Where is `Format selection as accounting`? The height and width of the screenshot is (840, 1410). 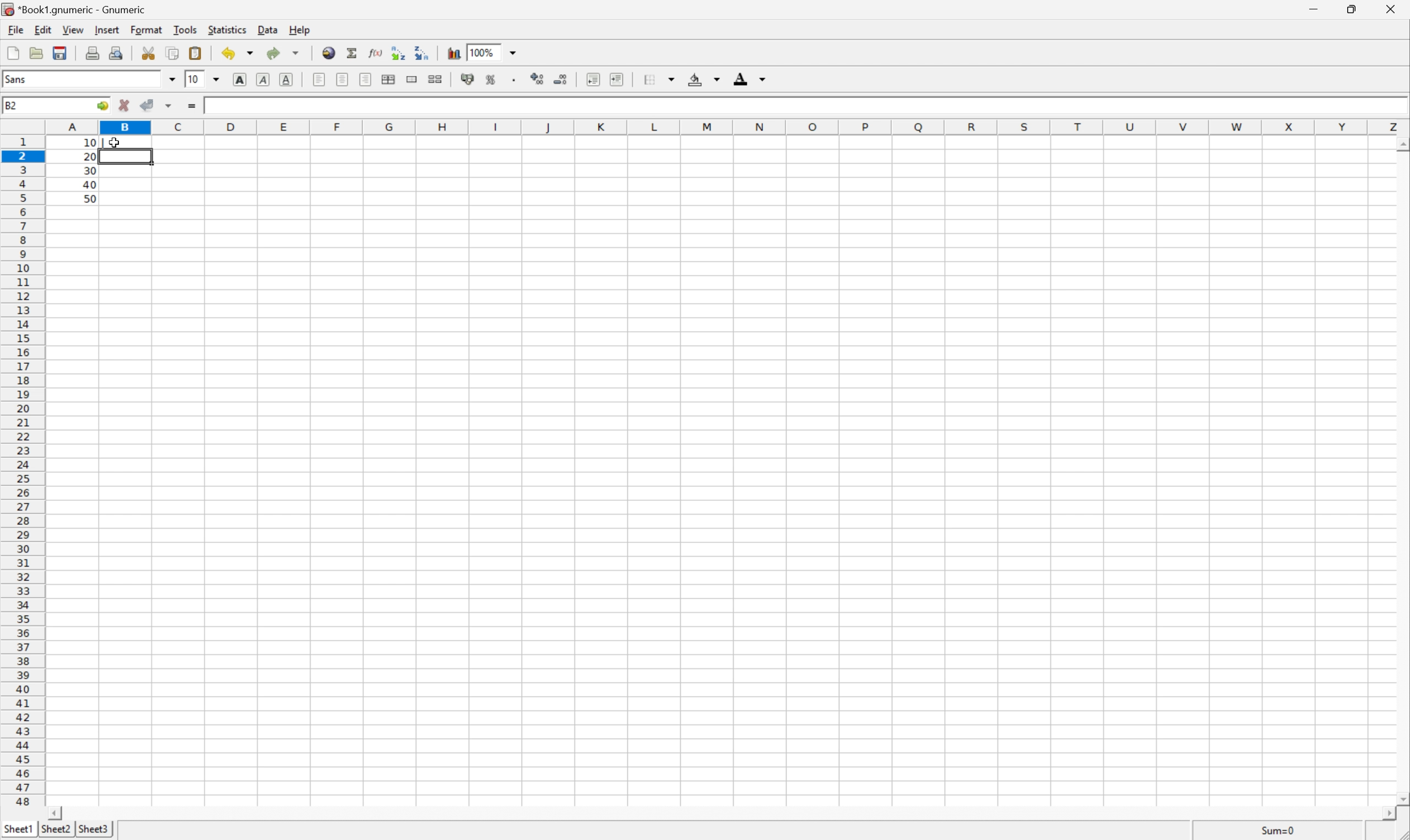 Format selection as accounting is located at coordinates (468, 78).